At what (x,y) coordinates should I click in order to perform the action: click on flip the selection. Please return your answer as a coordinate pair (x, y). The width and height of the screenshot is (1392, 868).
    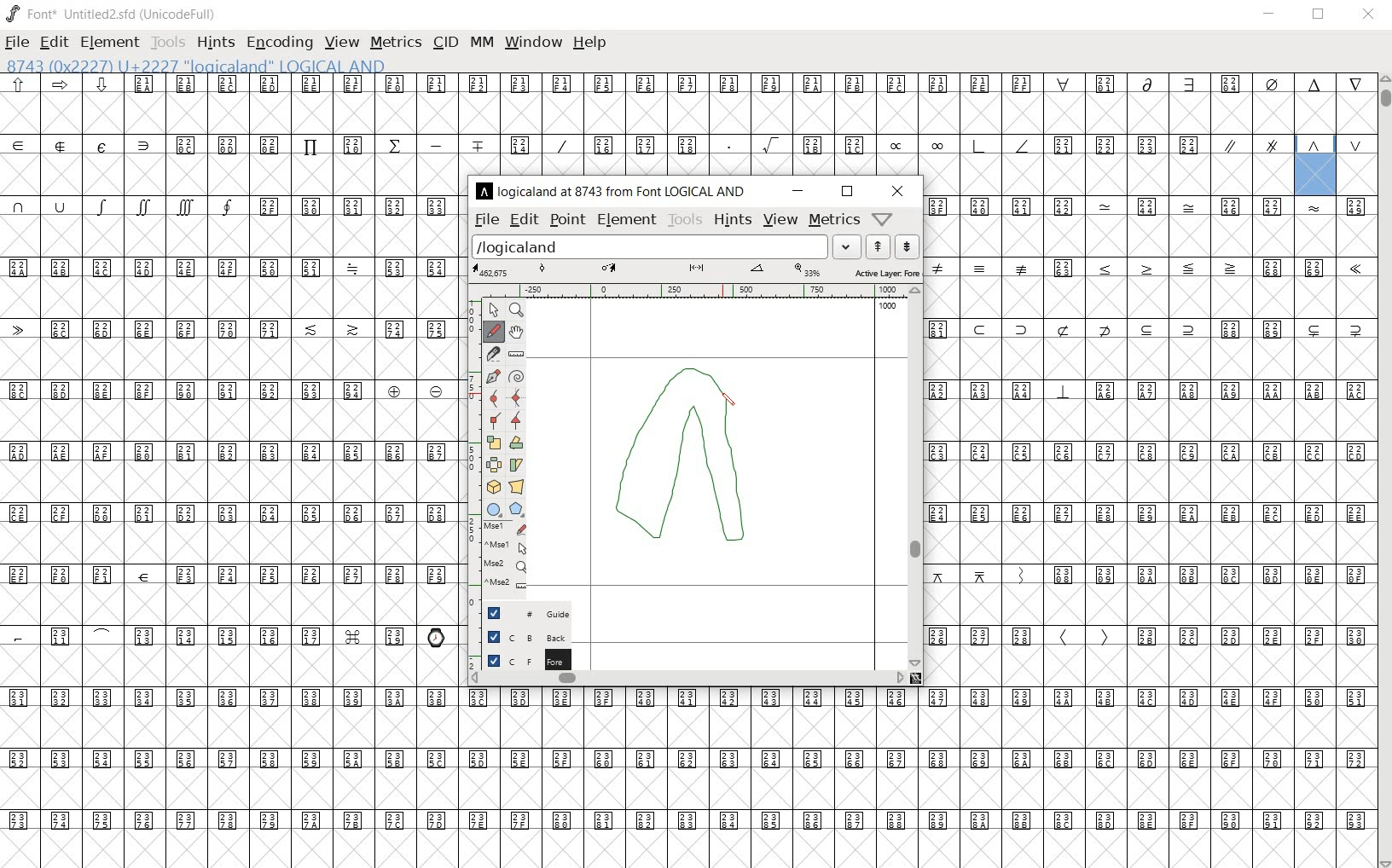
    Looking at the image, I should click on (520, 443).